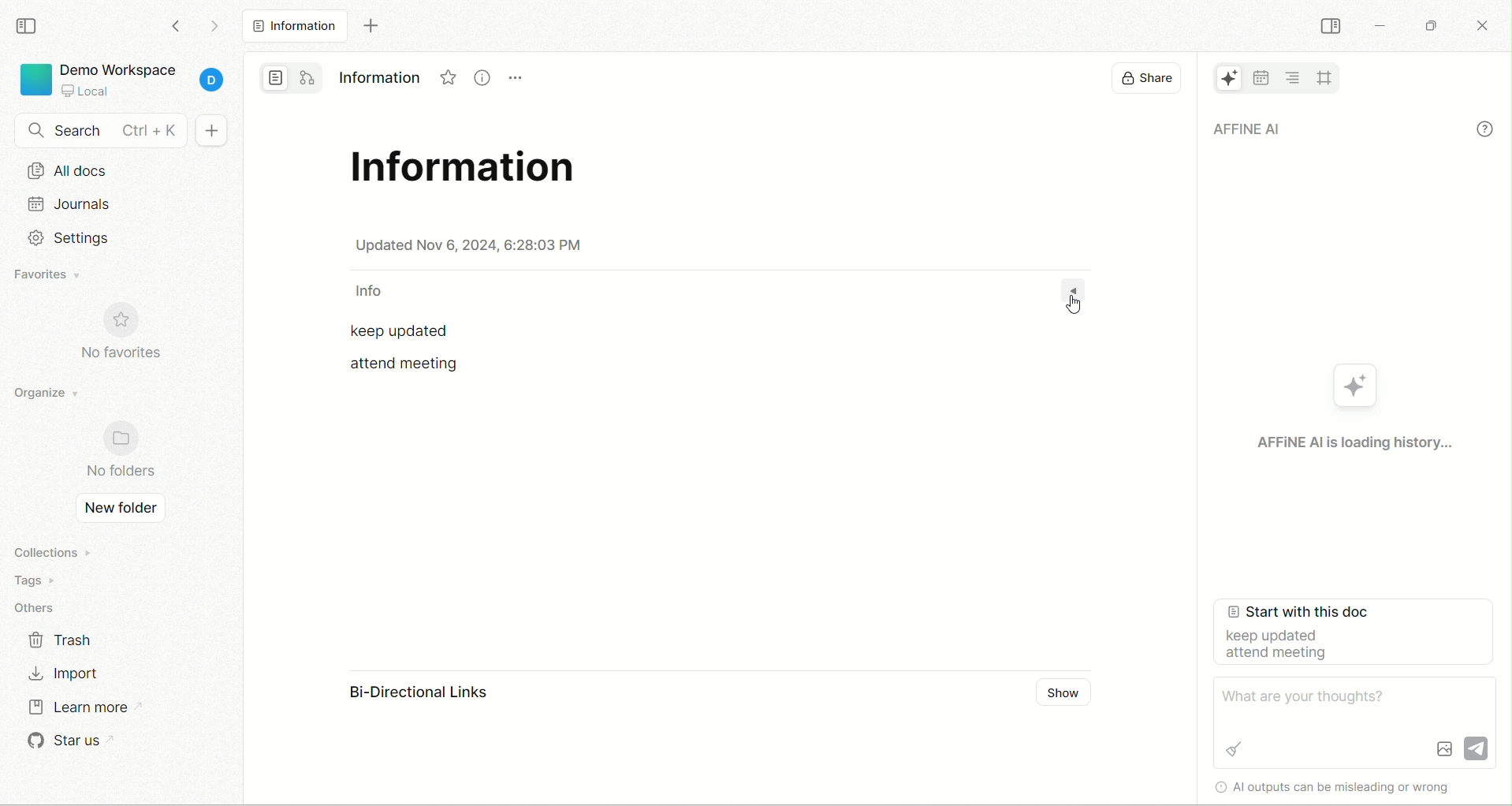 Image resolution: width=1512 pixels, height=806 pixels. I want to click on Brush, so click(1234, 748).